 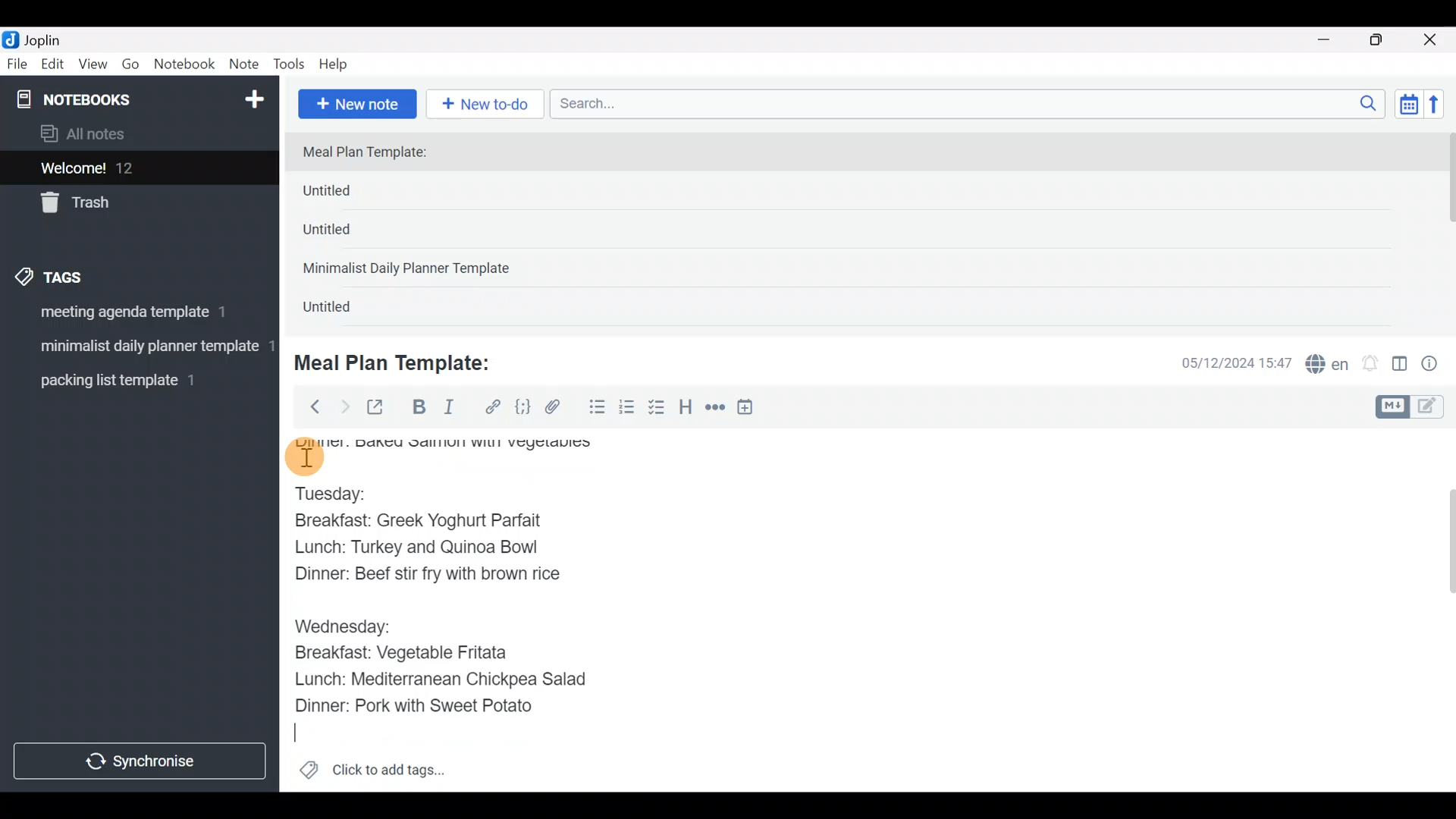 I want to click on Minimize, so click(x=1332, y=38).